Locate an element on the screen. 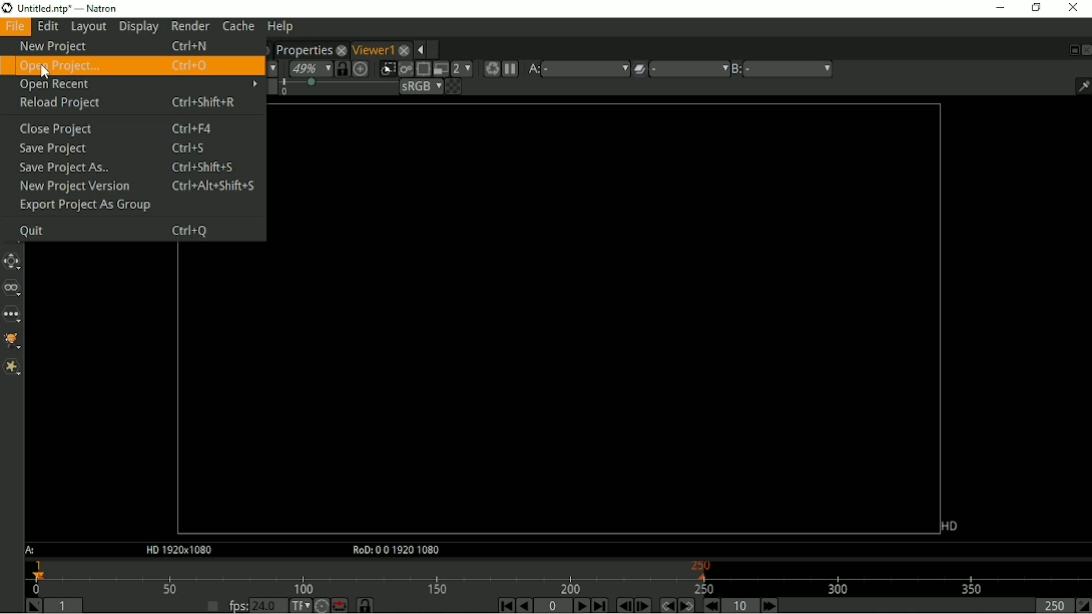 The width and height of the screenshot is (1092, 614). Float pane is located at coordinates (1071, 50).